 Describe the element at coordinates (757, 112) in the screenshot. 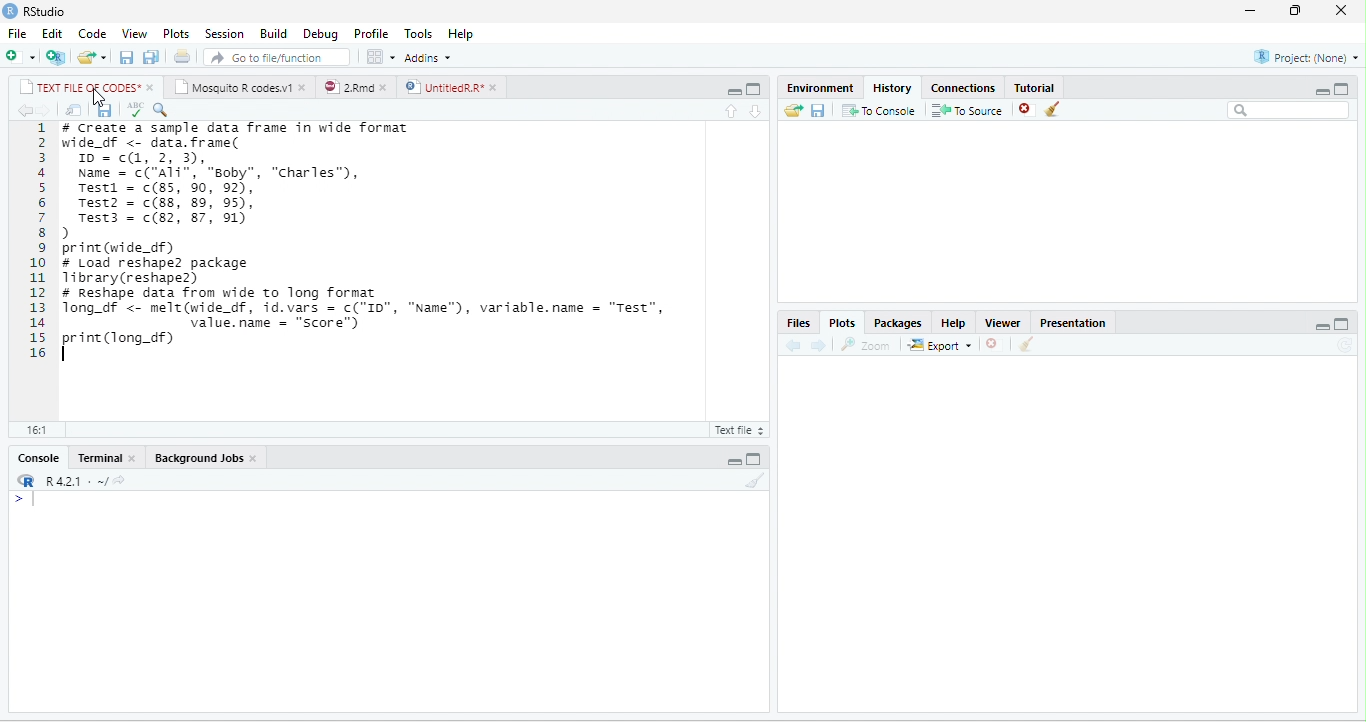

I see `down` at that location.